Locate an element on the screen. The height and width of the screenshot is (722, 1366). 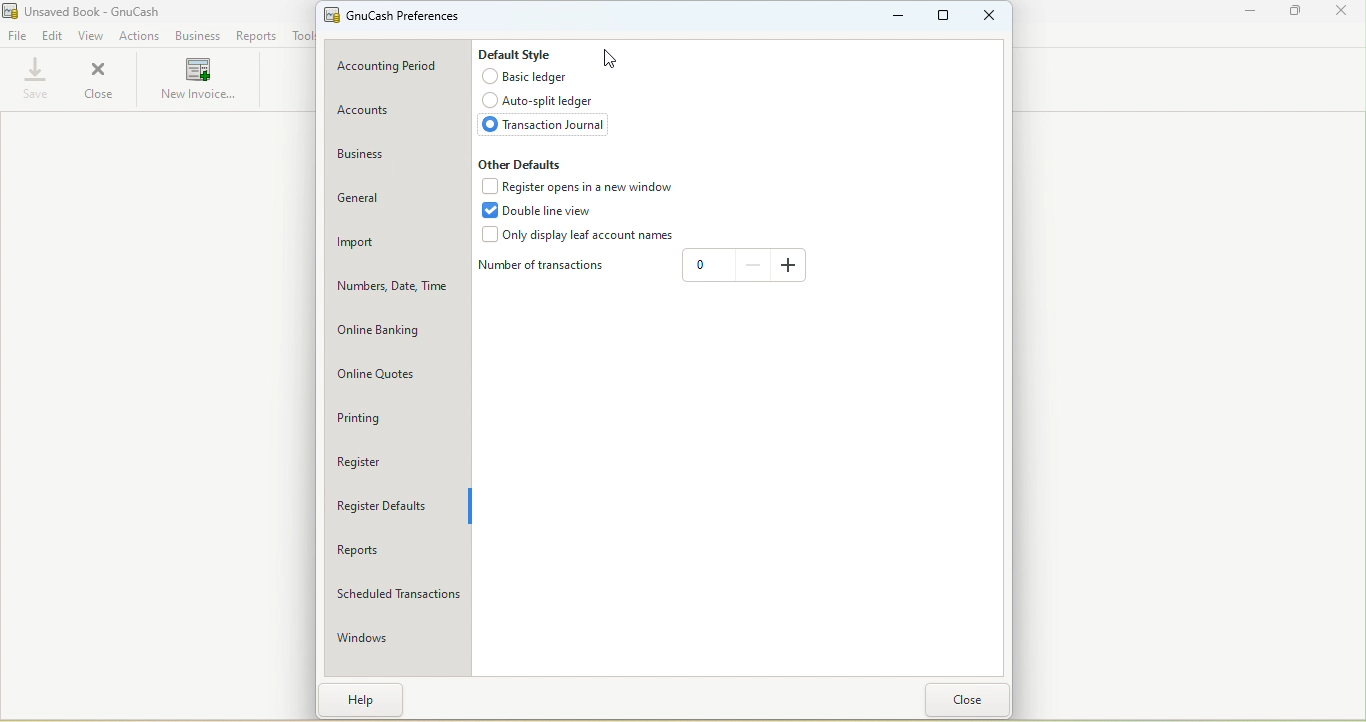
View is located at coordinates (92, 36).